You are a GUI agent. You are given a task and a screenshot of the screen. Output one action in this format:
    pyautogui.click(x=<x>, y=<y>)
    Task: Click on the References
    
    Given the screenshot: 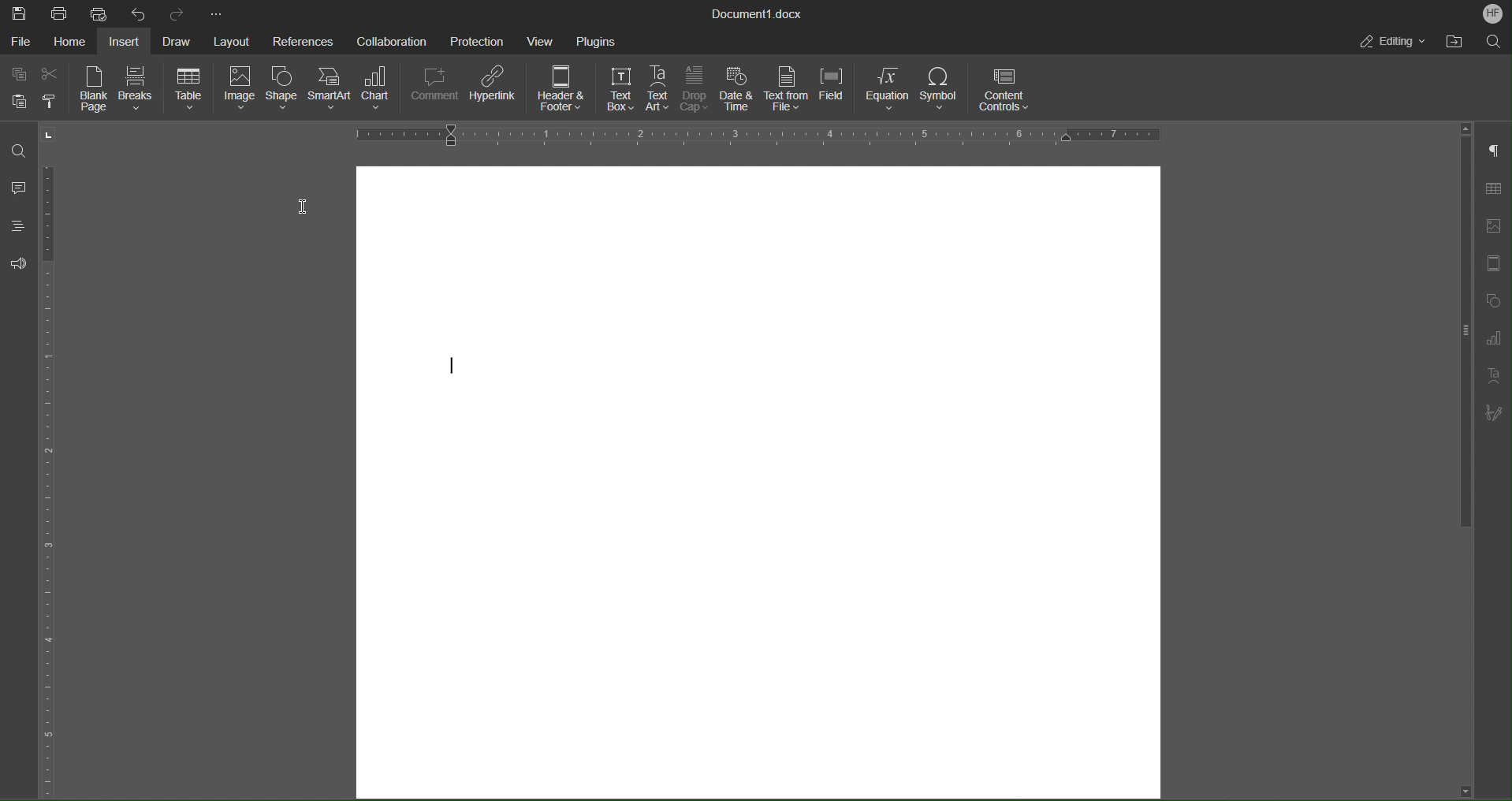 What is the action you would take?
    pyautogui.click(x=301, y=39)
    